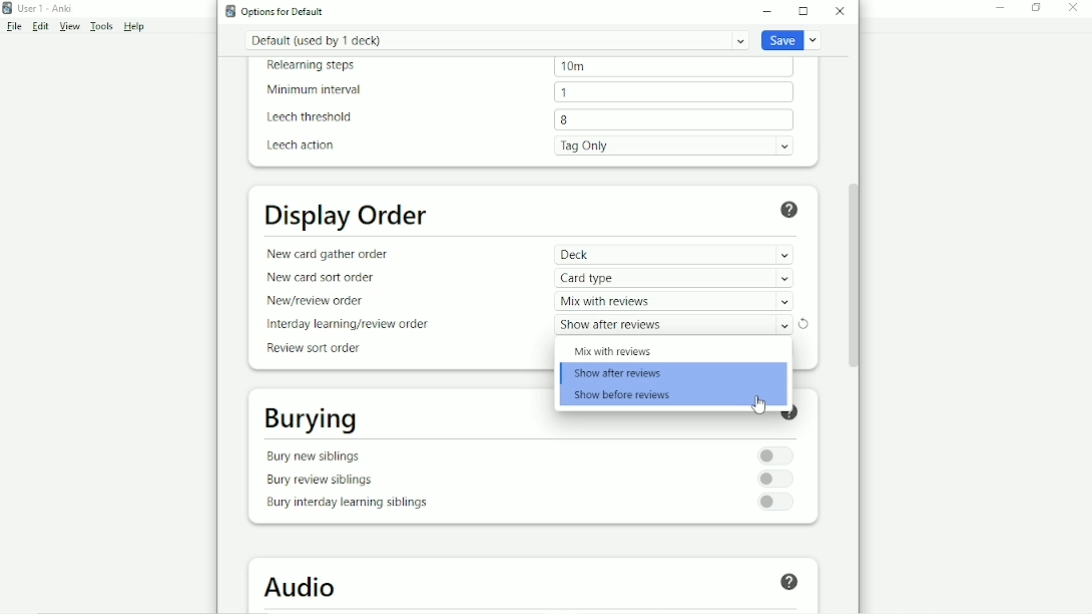 The image size is (1092, 614). Describe the element at coordinates (319, 482) in the screenshot. I see `Bury review siblings` at that location.